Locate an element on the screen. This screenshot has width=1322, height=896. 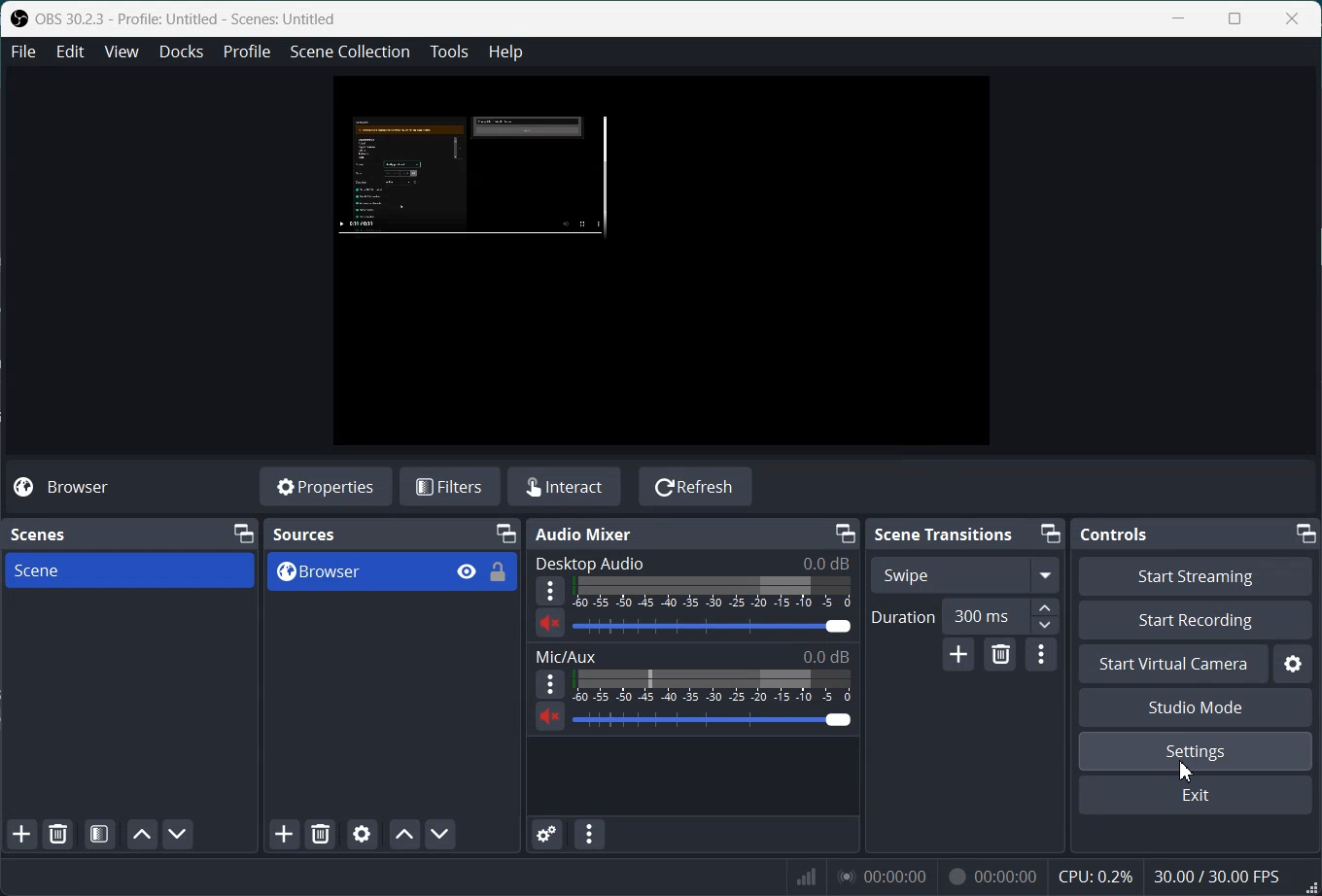
Docks is located at coordinates (182, 52).